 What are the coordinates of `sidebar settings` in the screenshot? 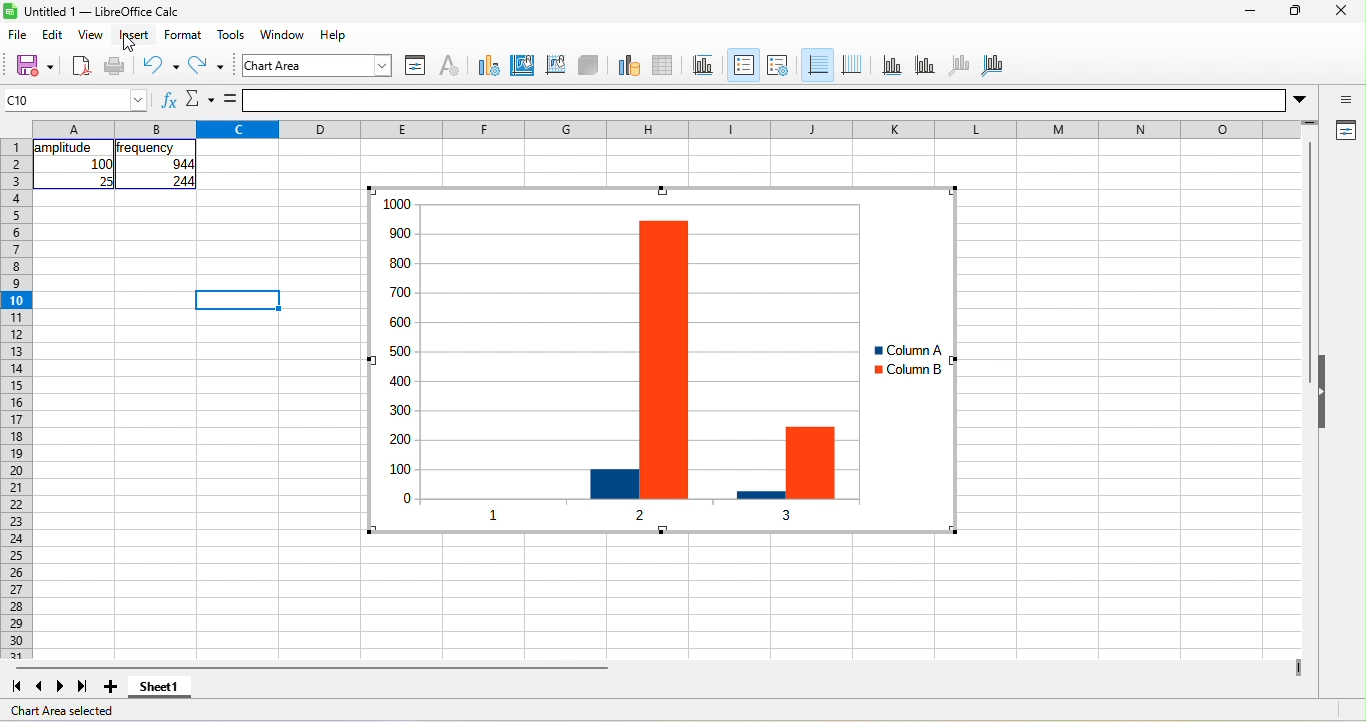 It's located at (1346, 101).